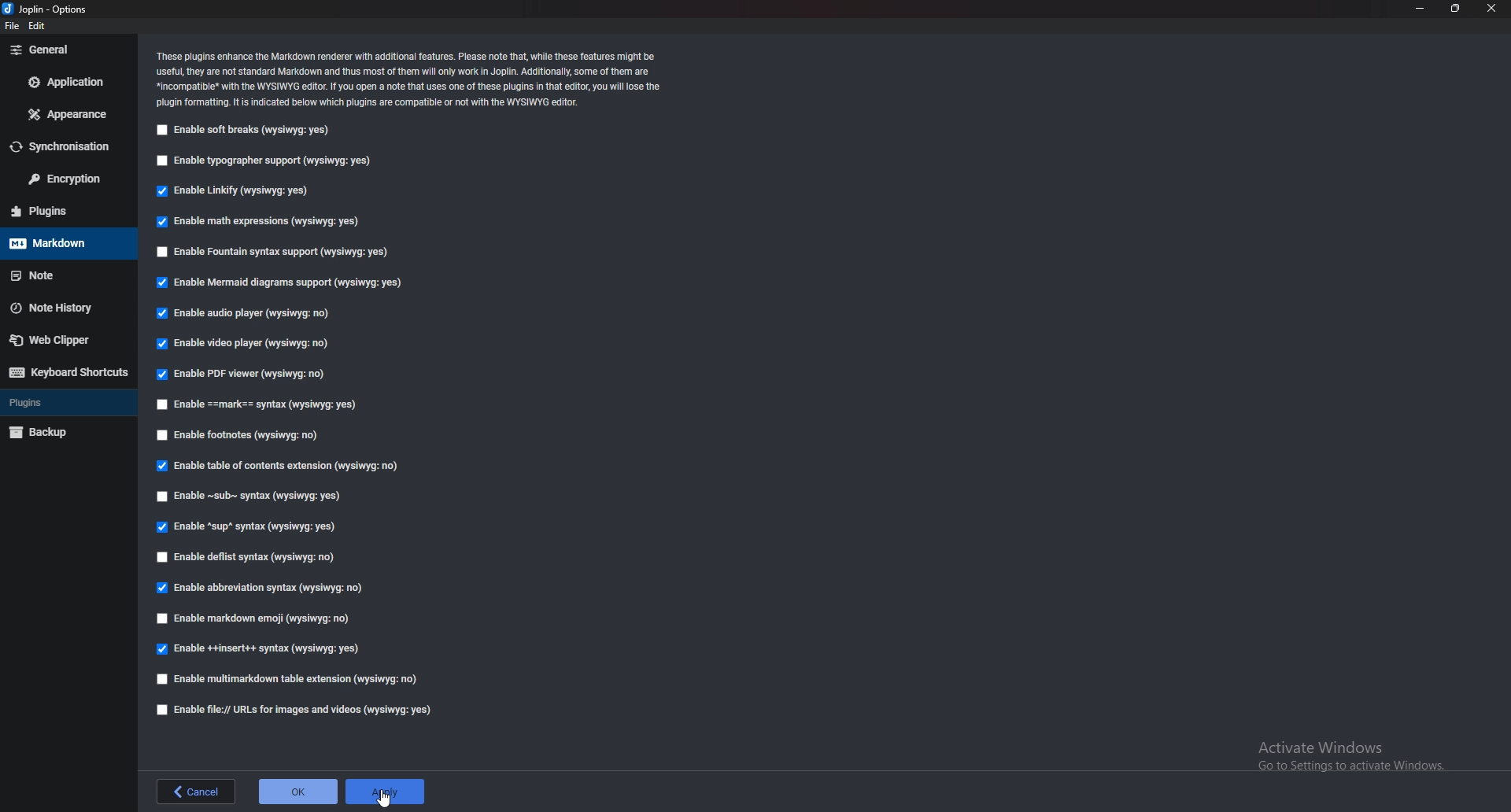  Describe the element at coordinates (384, 798) in the screenshot. I see `cursor` at that location.